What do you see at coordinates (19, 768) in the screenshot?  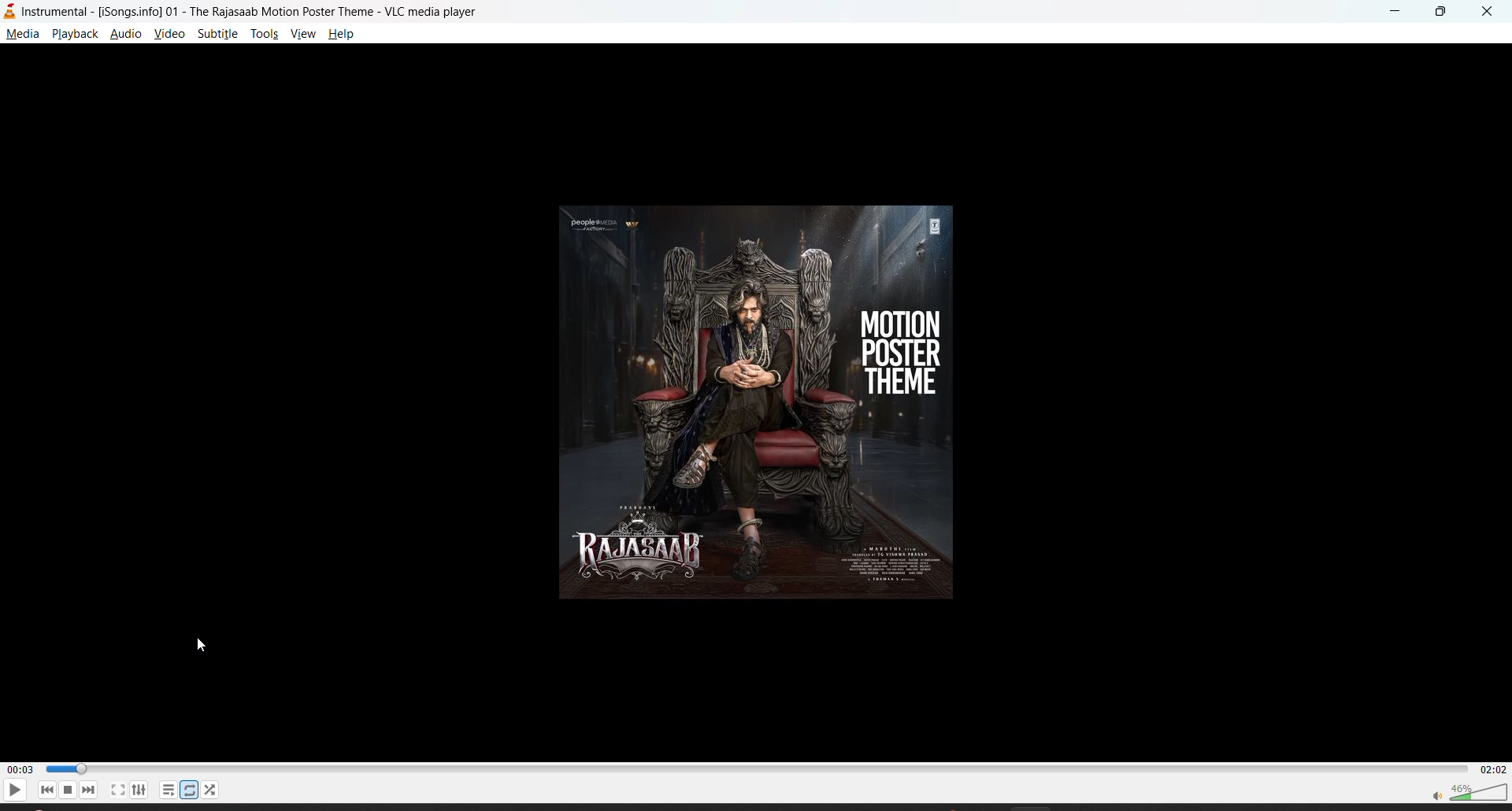 I see `00:03` at bounding box center [19, 768].